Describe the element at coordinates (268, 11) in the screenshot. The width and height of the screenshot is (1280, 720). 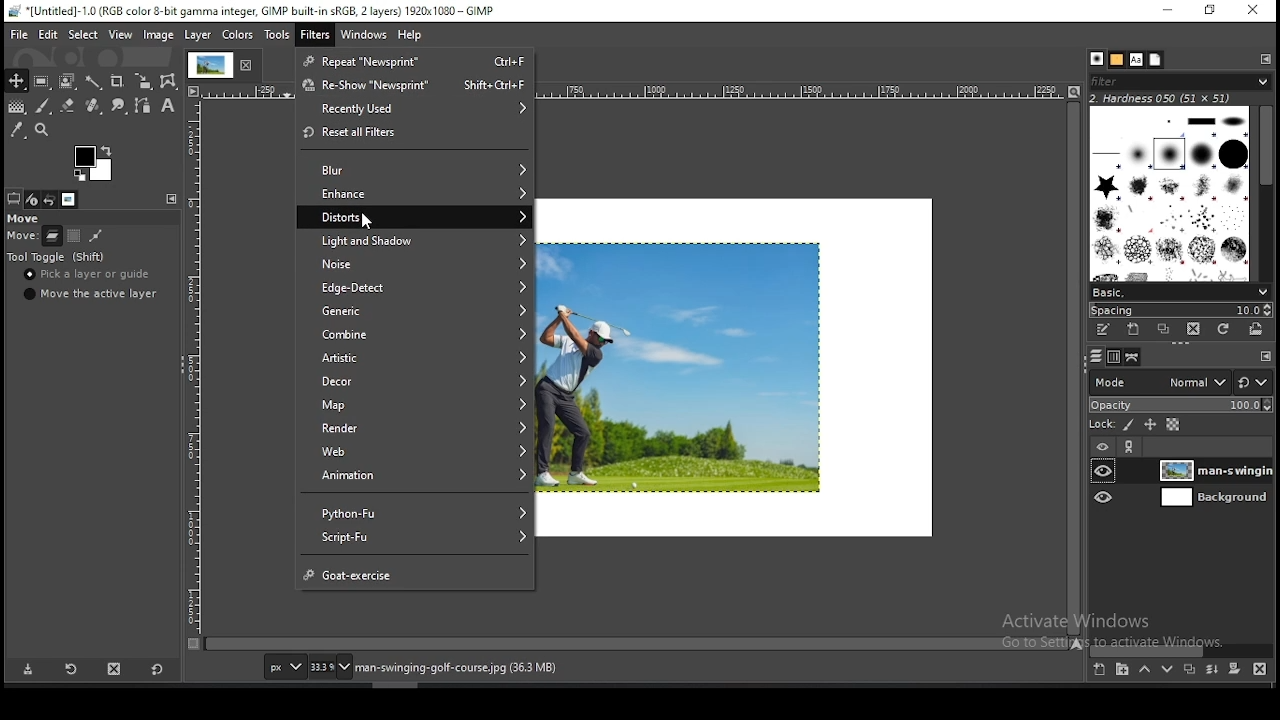
I see `*[Untitled]-1.0 (RGB color 8-bit gamma integer, GIMP built-in sRGB, 2 layers) 1920x1080 - GIMP` at that location.